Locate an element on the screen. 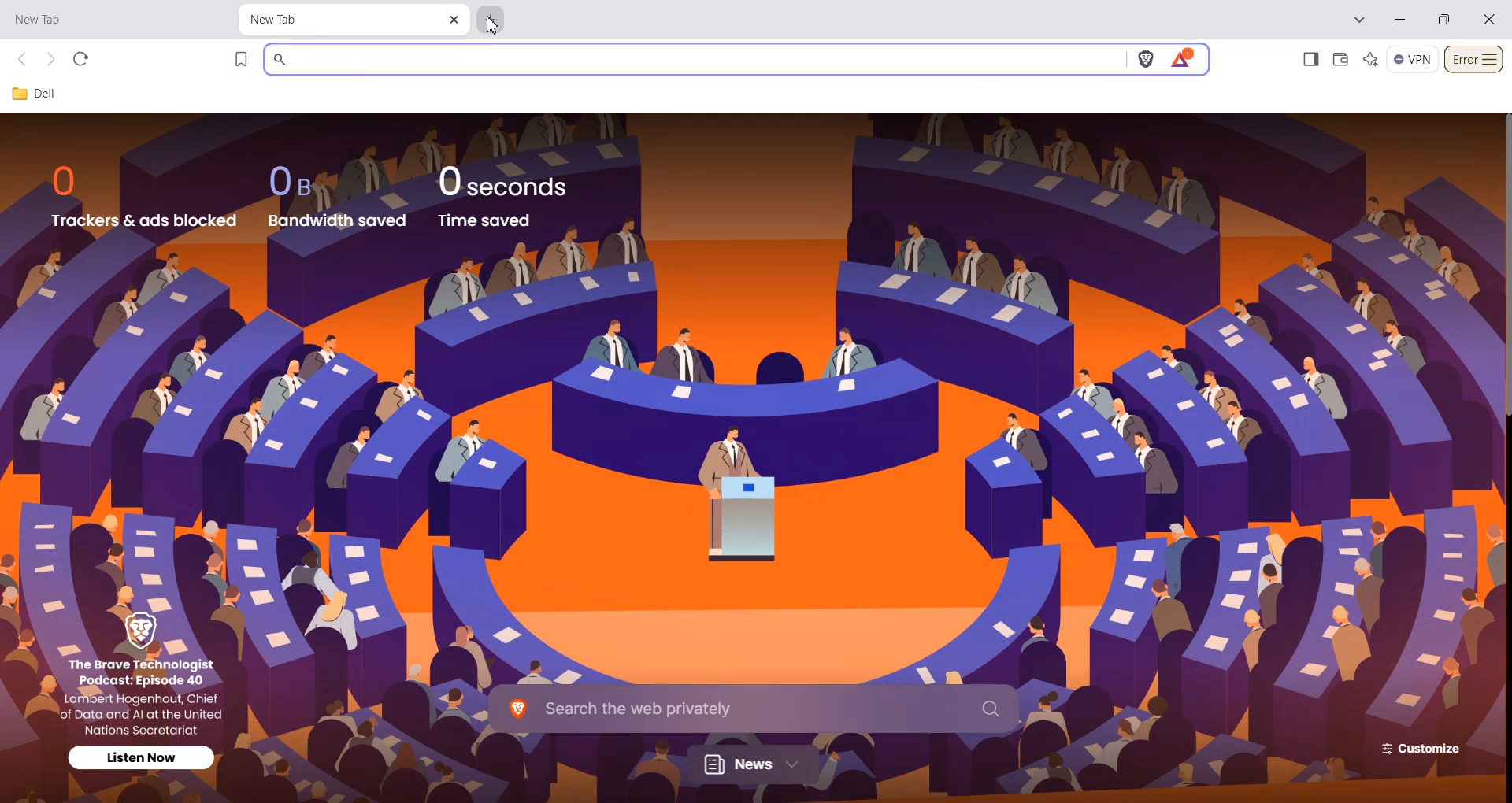 The height and width of the screenshot is (803, 1512). Bookmark is located at coordinates (242, 59).